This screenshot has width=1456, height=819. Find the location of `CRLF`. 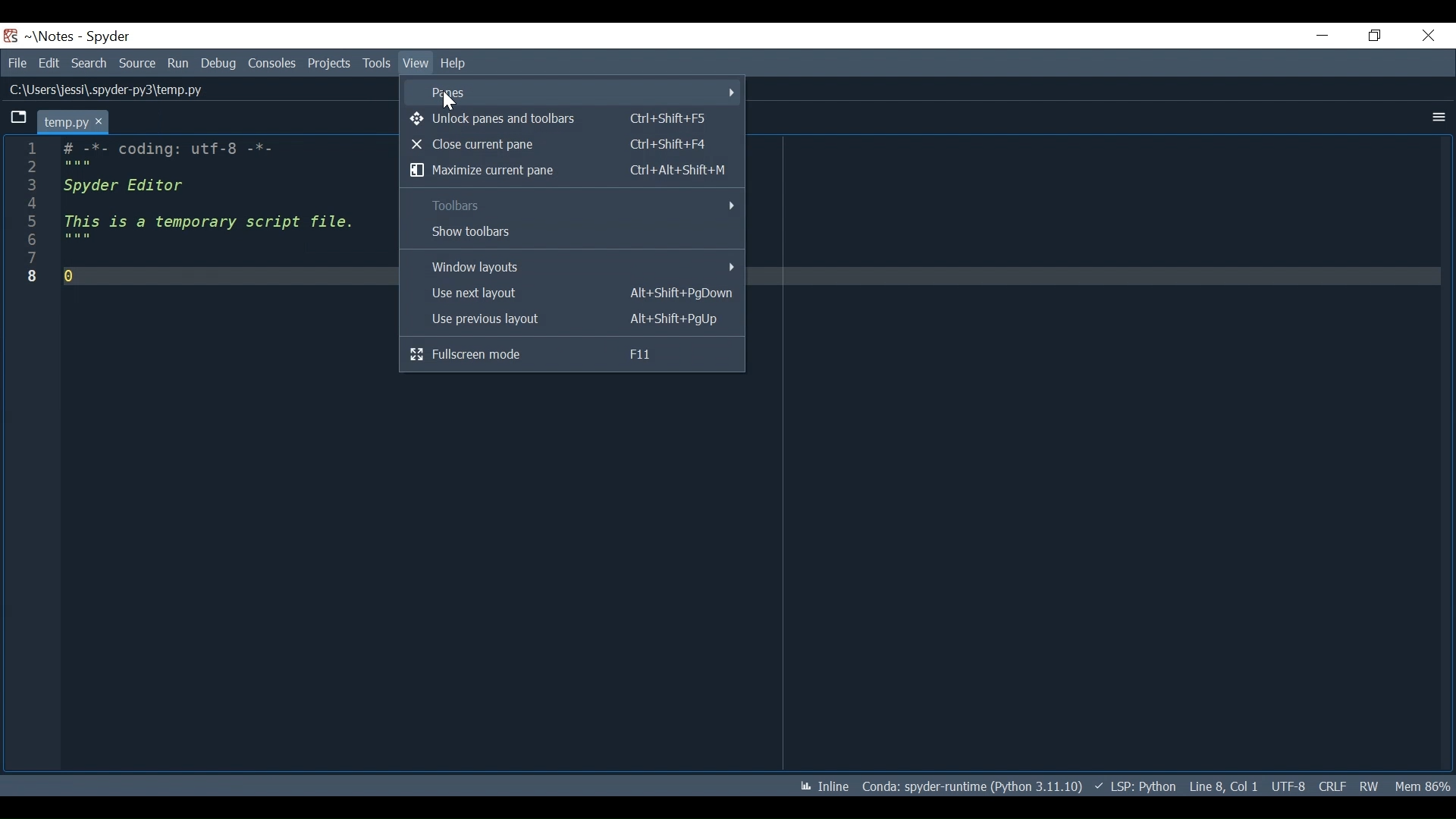

CRLF is located at coordinates (1330, 786).